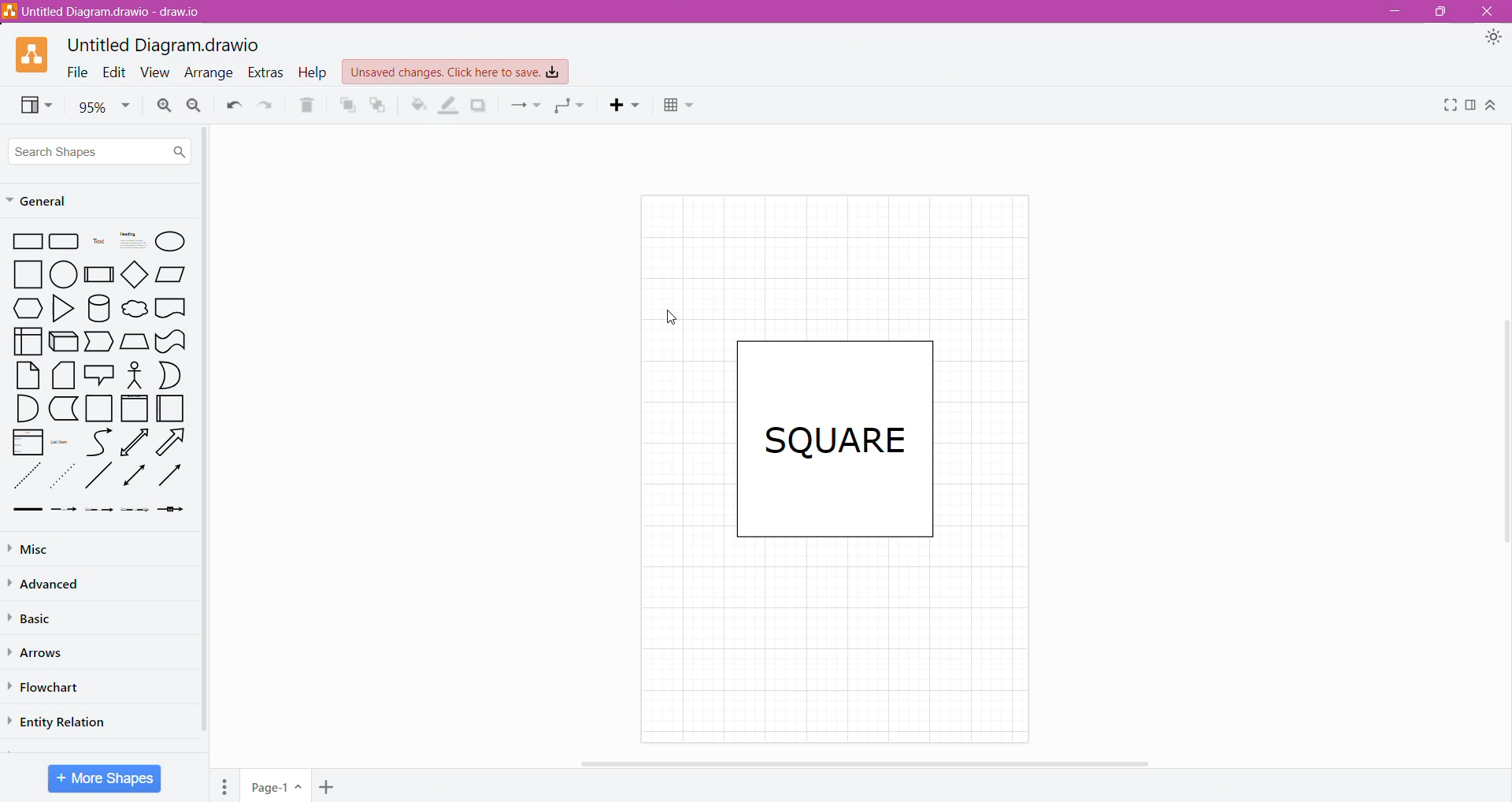 This screenshot has height=802, width=1512. Describe the element at coordinates (104, 778) in the screenshot. I see `More Shapes` at that location.